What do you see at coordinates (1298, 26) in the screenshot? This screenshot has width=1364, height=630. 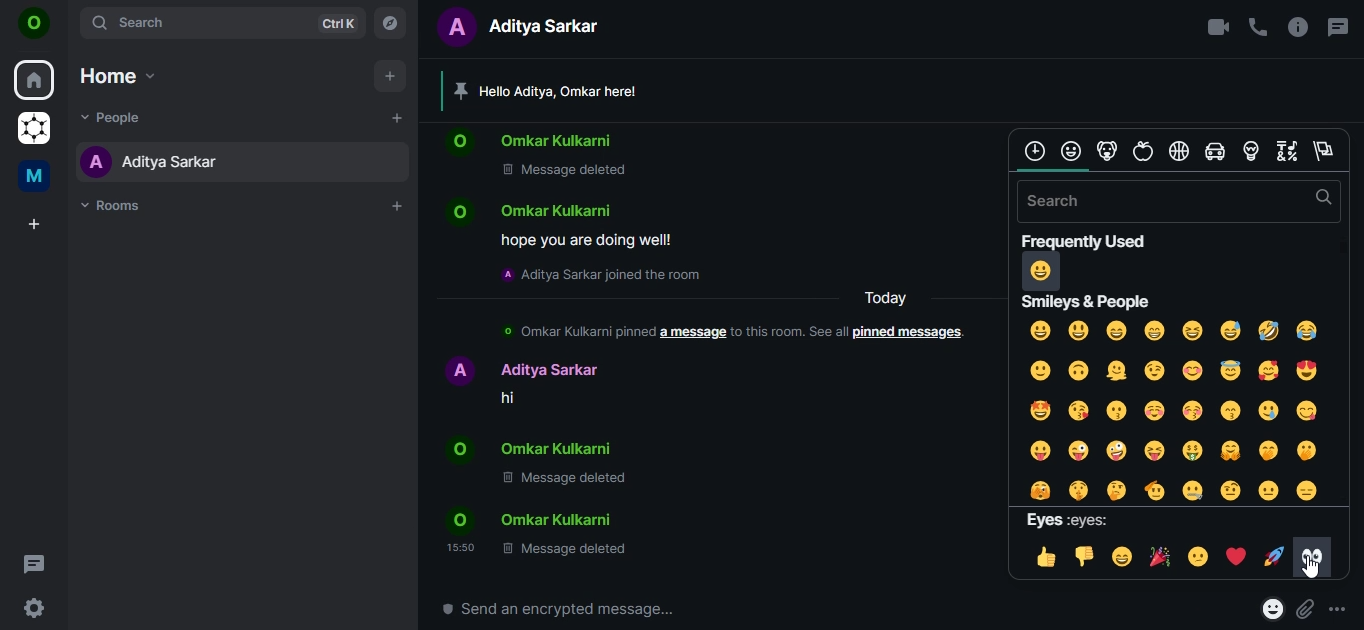 I see `room info` at bounding box center [1298, 26].